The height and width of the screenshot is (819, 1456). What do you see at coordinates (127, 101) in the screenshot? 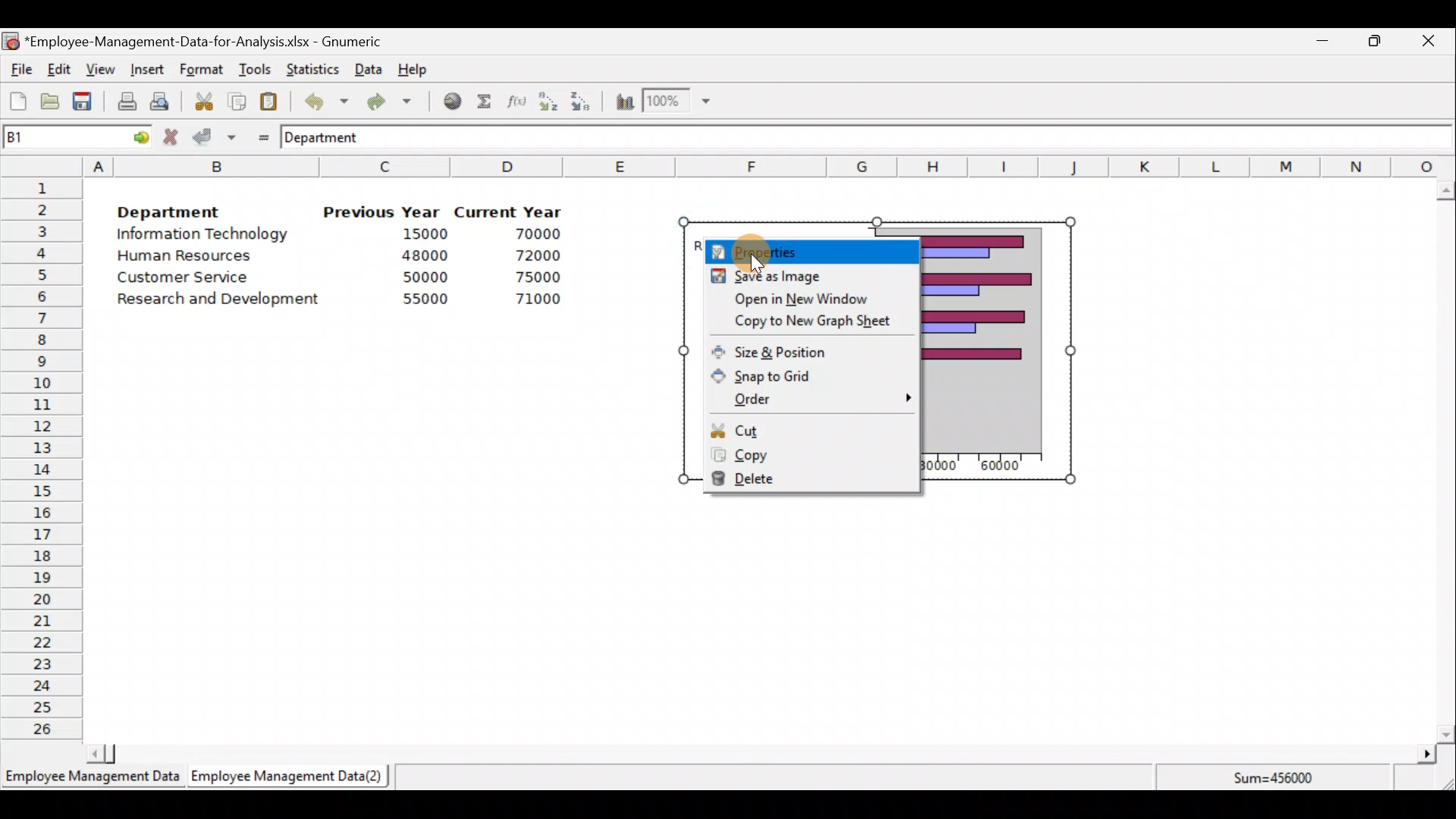
I see `Print current file` at bounding box center [127, 101].